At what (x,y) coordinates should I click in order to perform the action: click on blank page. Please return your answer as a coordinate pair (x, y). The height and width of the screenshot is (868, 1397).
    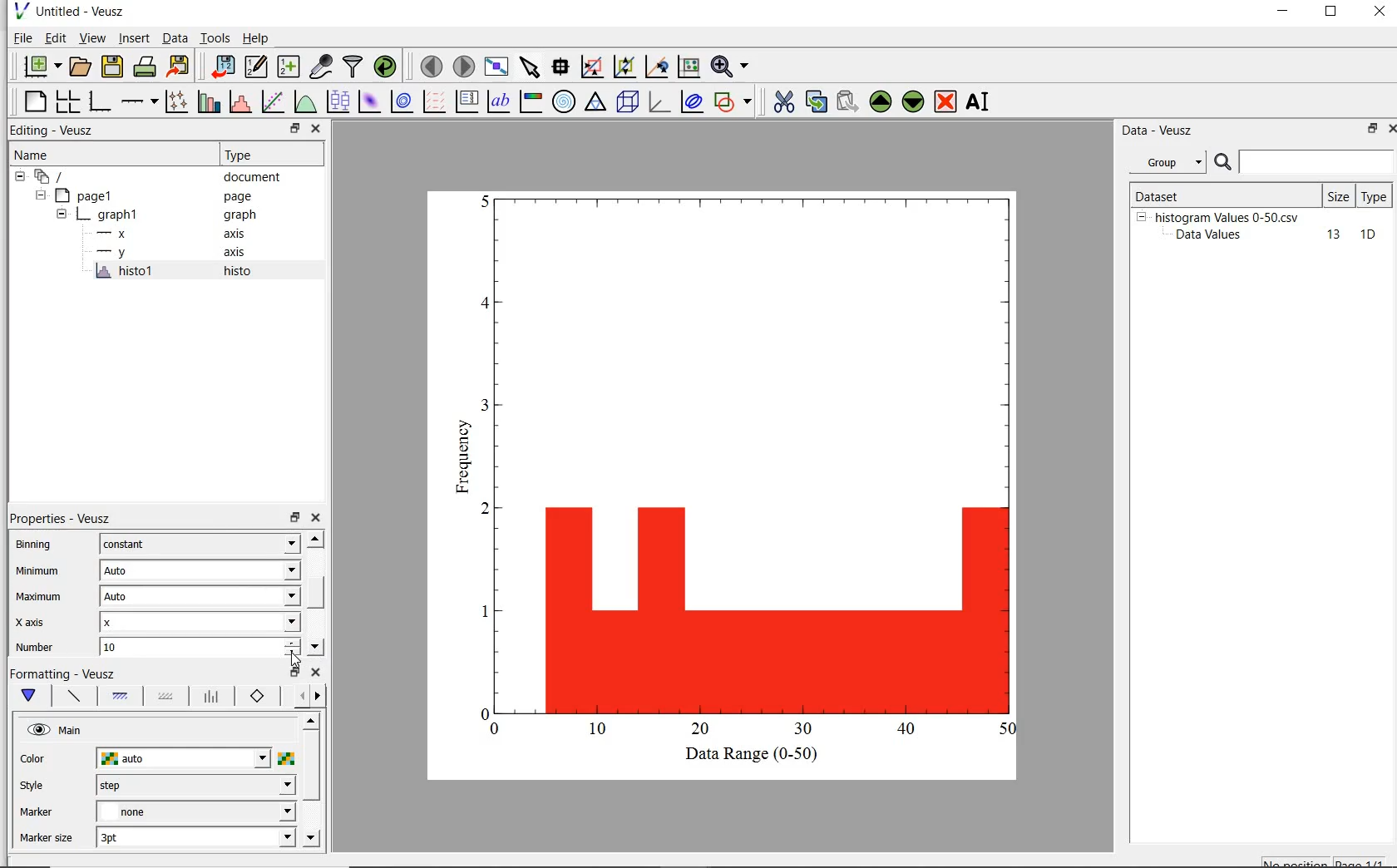
    Looking at the image, I should click on (36, 101).